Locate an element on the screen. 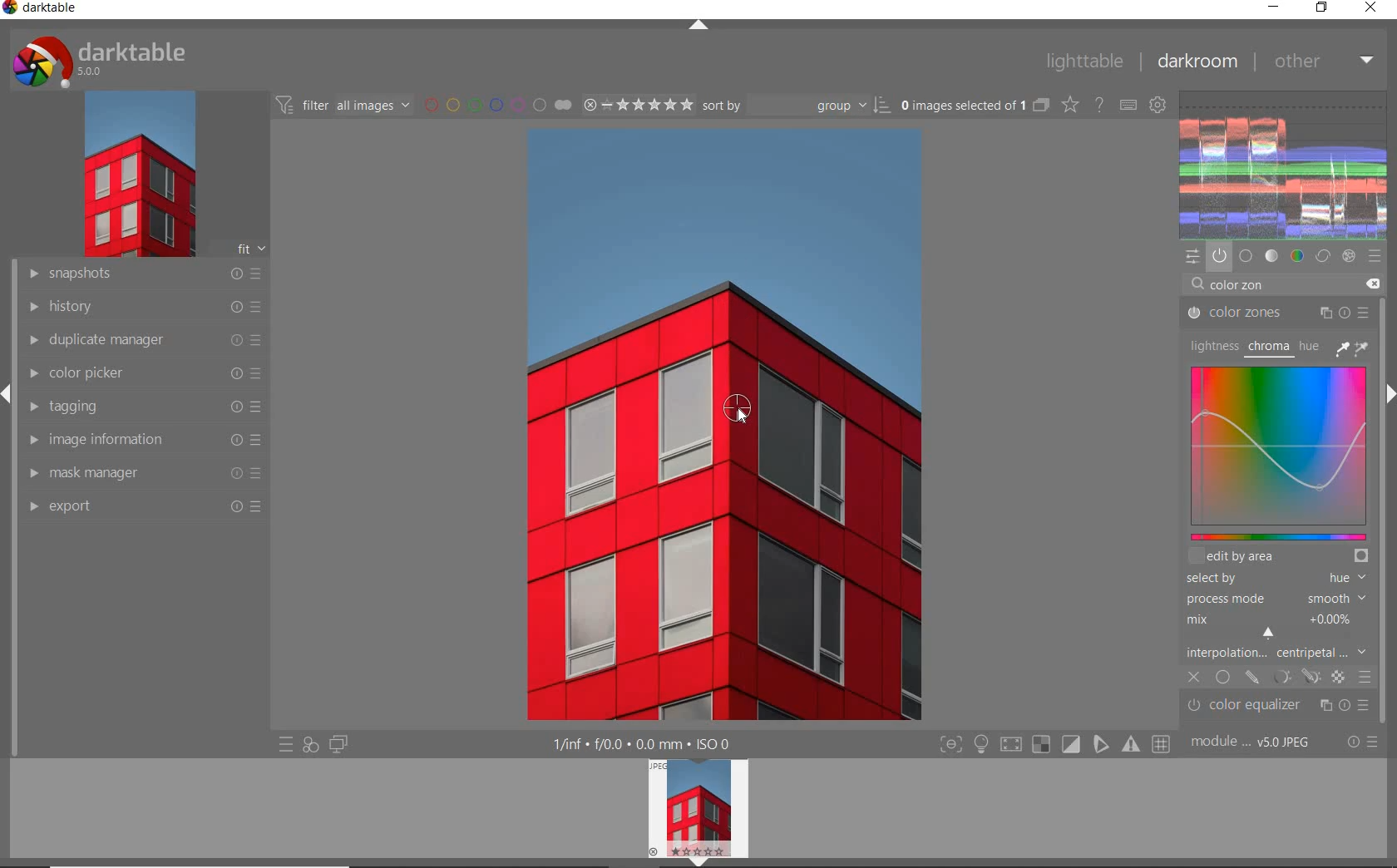  base is located at coordinates (1246, 254).